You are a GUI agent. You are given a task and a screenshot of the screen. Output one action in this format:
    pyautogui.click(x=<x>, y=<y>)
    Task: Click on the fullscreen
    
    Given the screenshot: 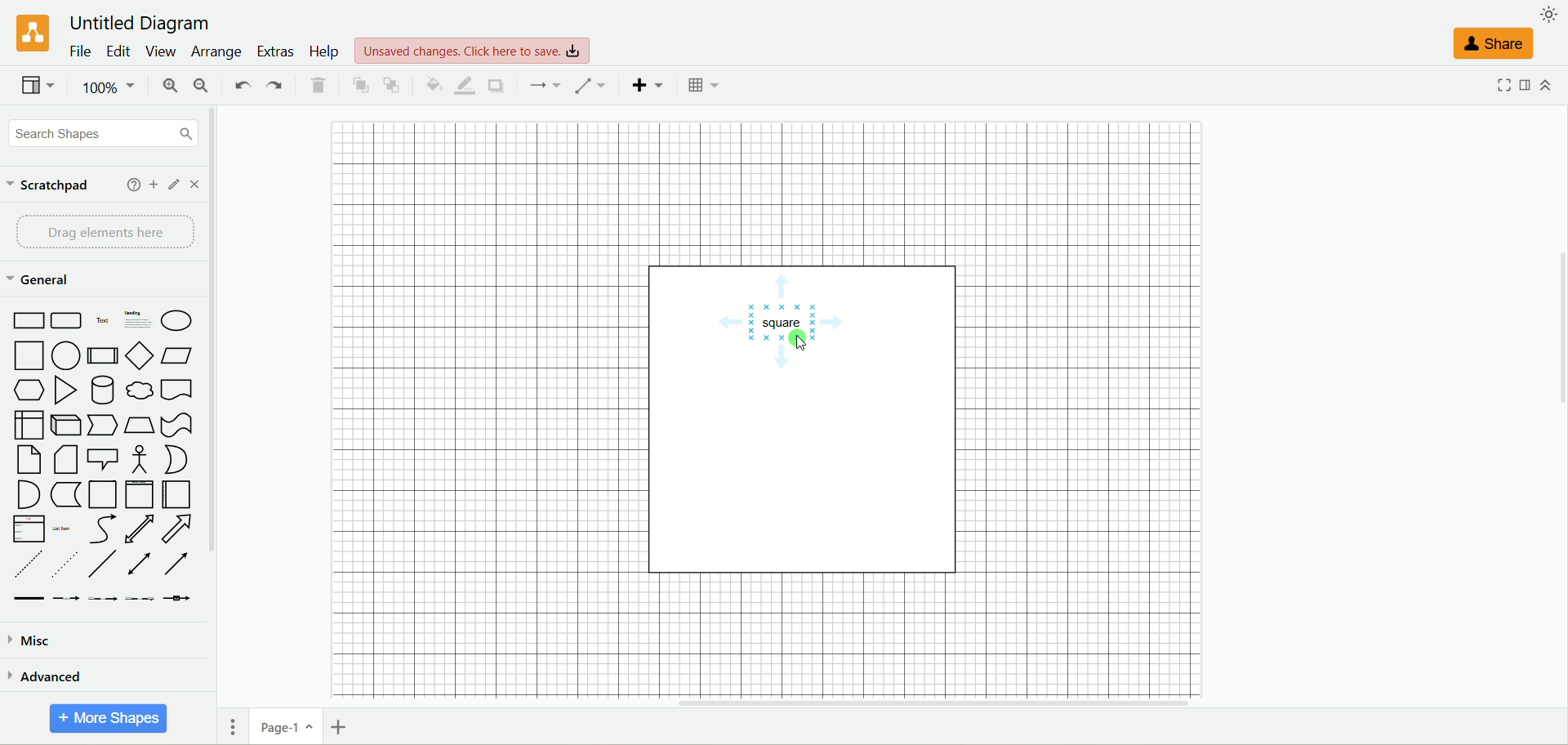 What is the action you would take?
    pyautogui.click(x=1502, y=84)
    